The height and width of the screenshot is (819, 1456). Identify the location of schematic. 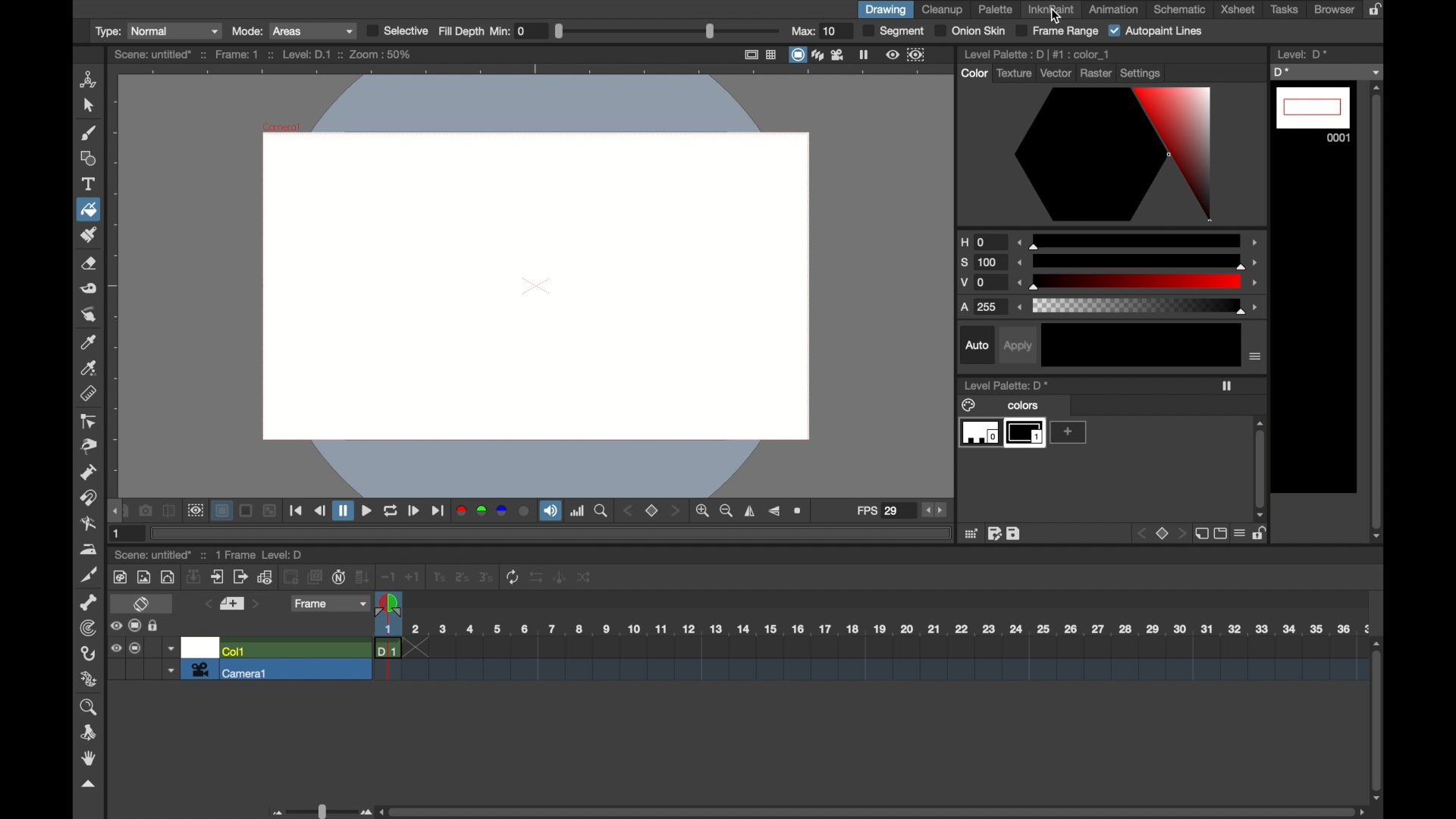
(1180, 9).